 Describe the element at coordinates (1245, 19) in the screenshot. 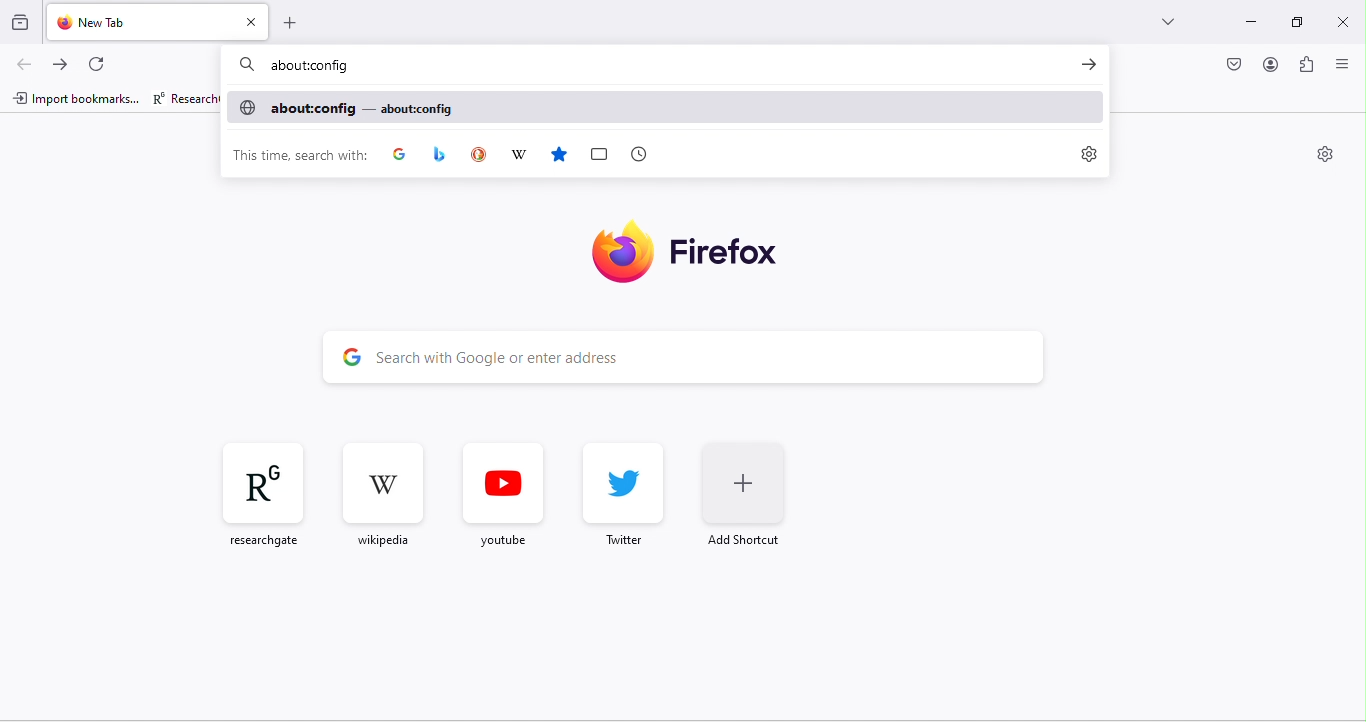

I see `minimize` at that location.